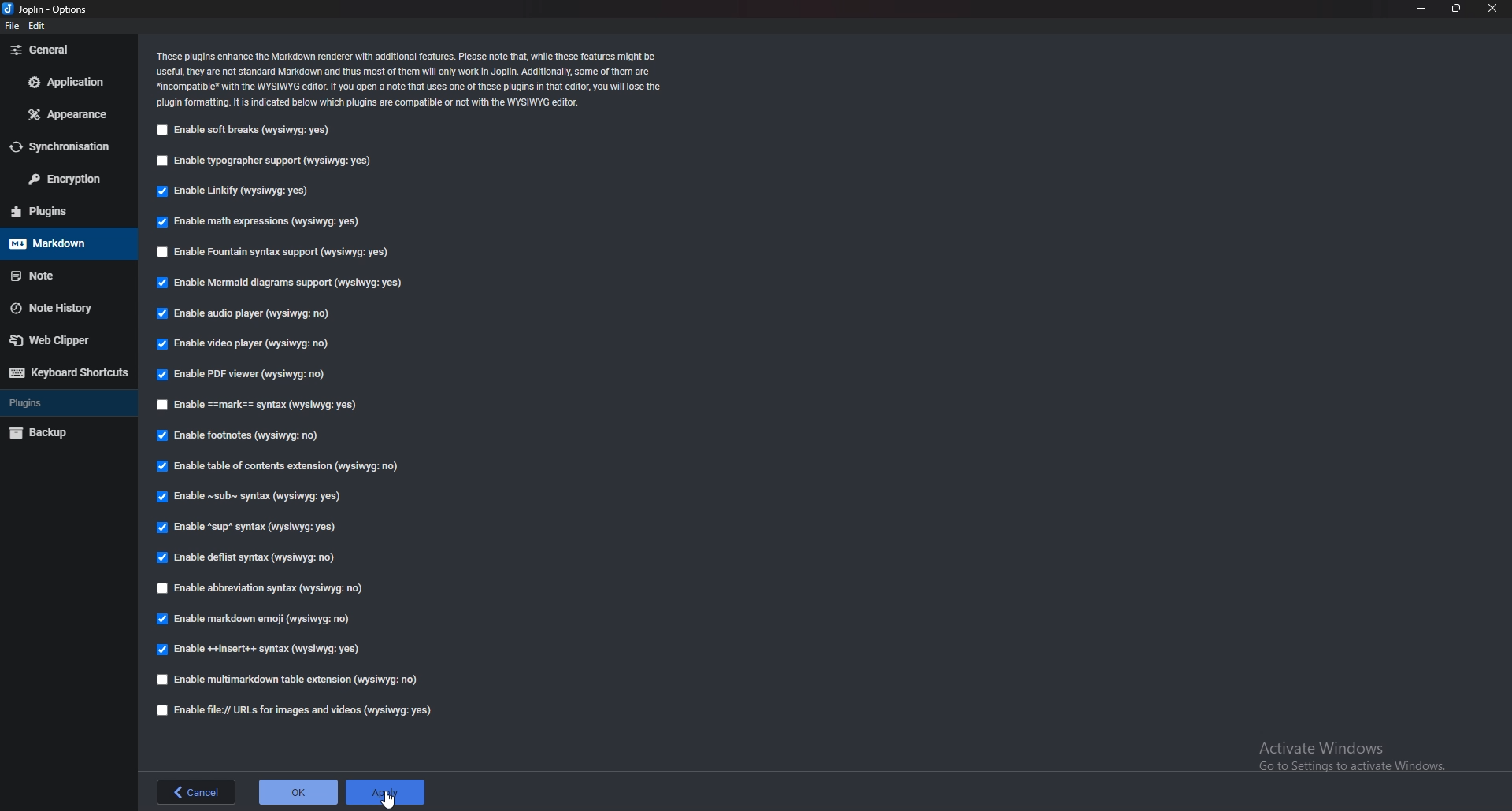  What do you see at coordinates (59, 276) in the screenshot?
I see `note` at bounding box center [59, 276].